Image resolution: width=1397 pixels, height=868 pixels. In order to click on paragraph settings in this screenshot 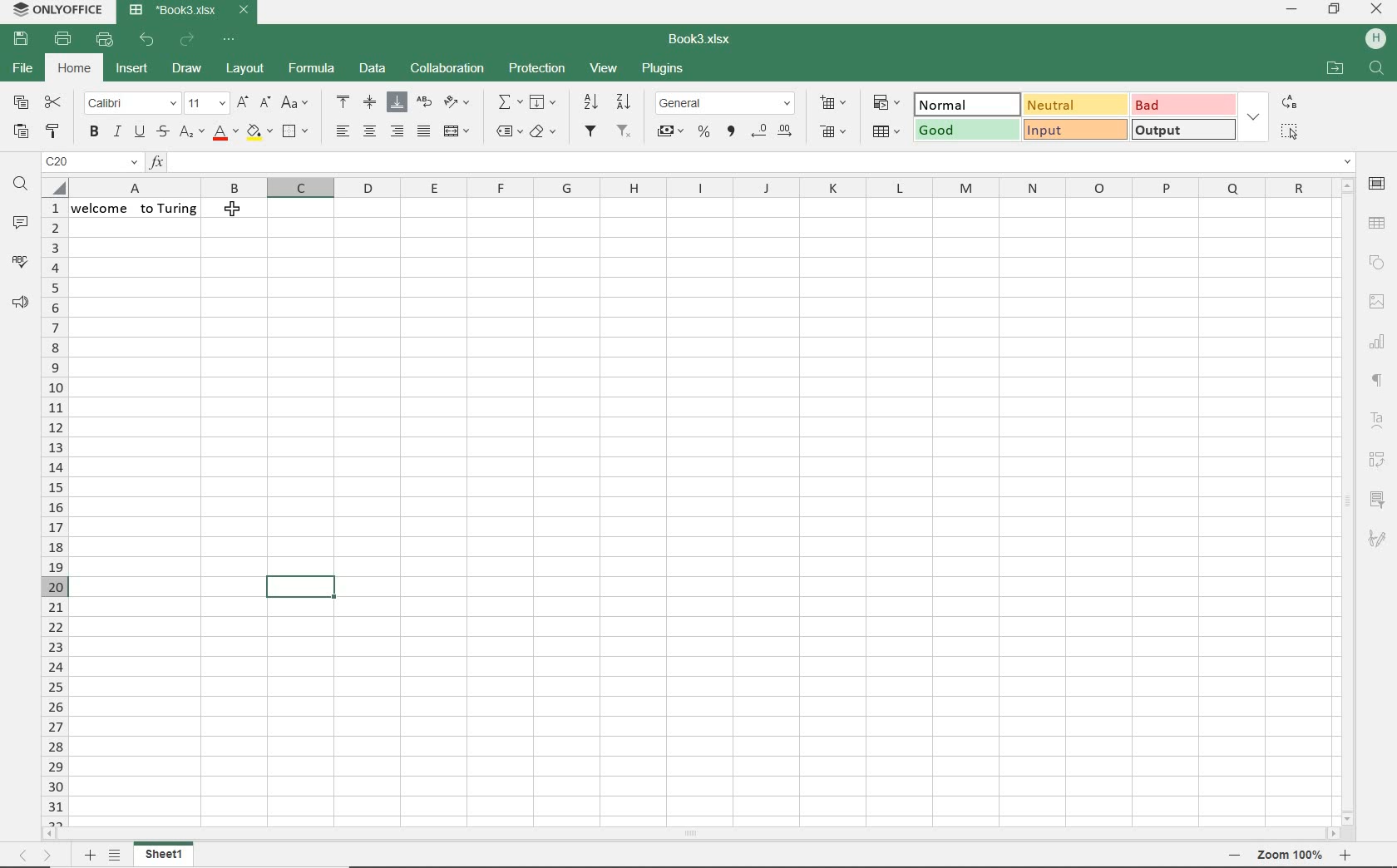, I will do `click(1379, 379)`.